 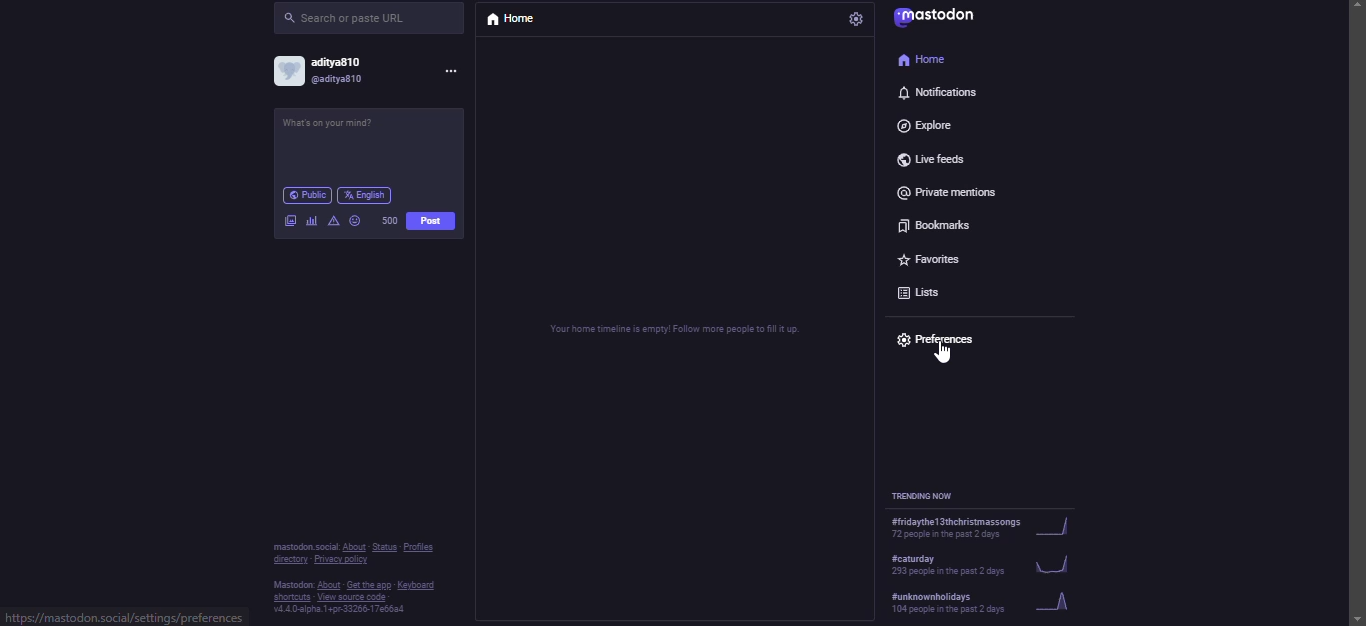 I want to click on private mentions, so click(x=958, y=190).